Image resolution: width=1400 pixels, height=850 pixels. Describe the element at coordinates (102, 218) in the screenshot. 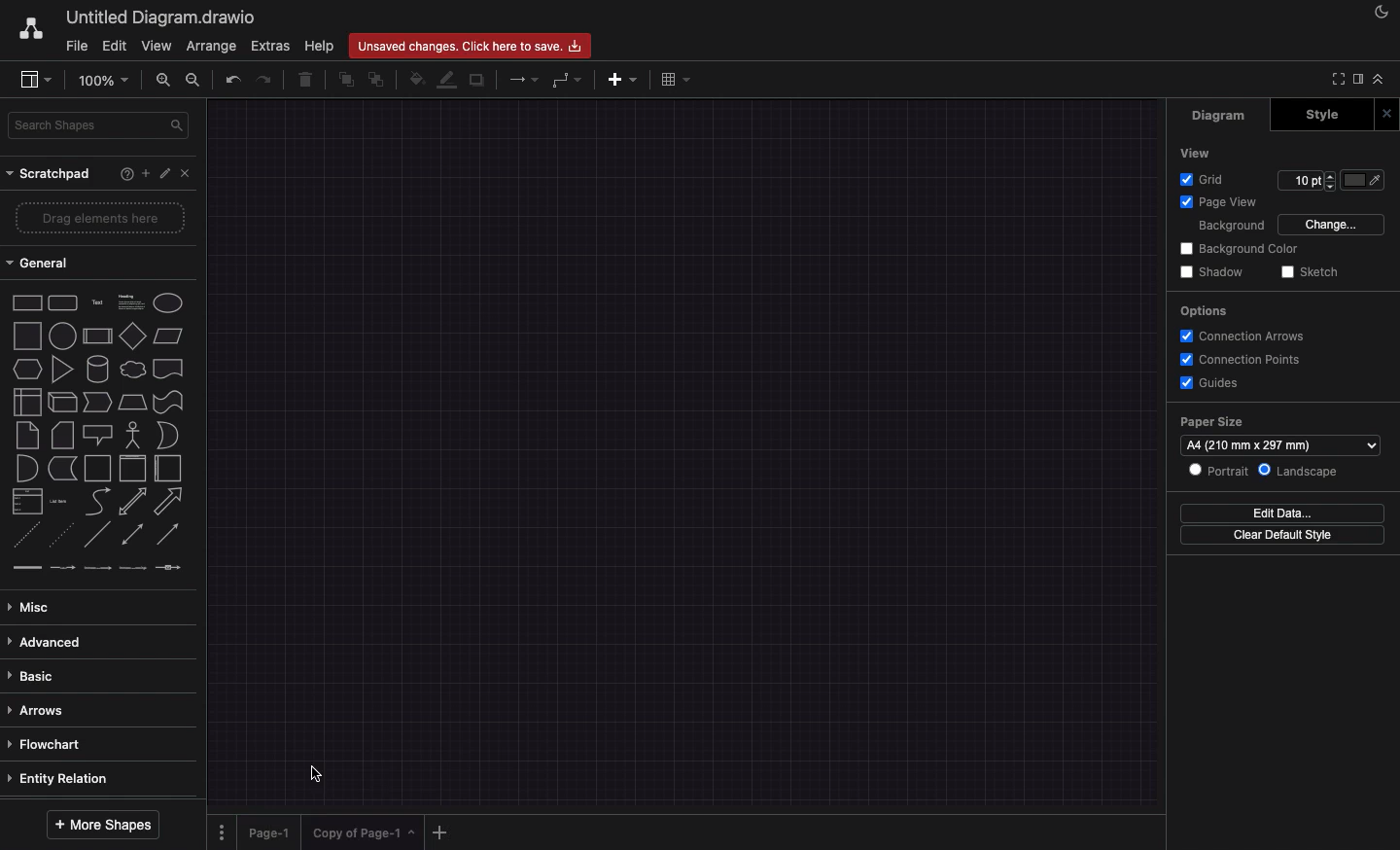

I see `drage elements` at that location.